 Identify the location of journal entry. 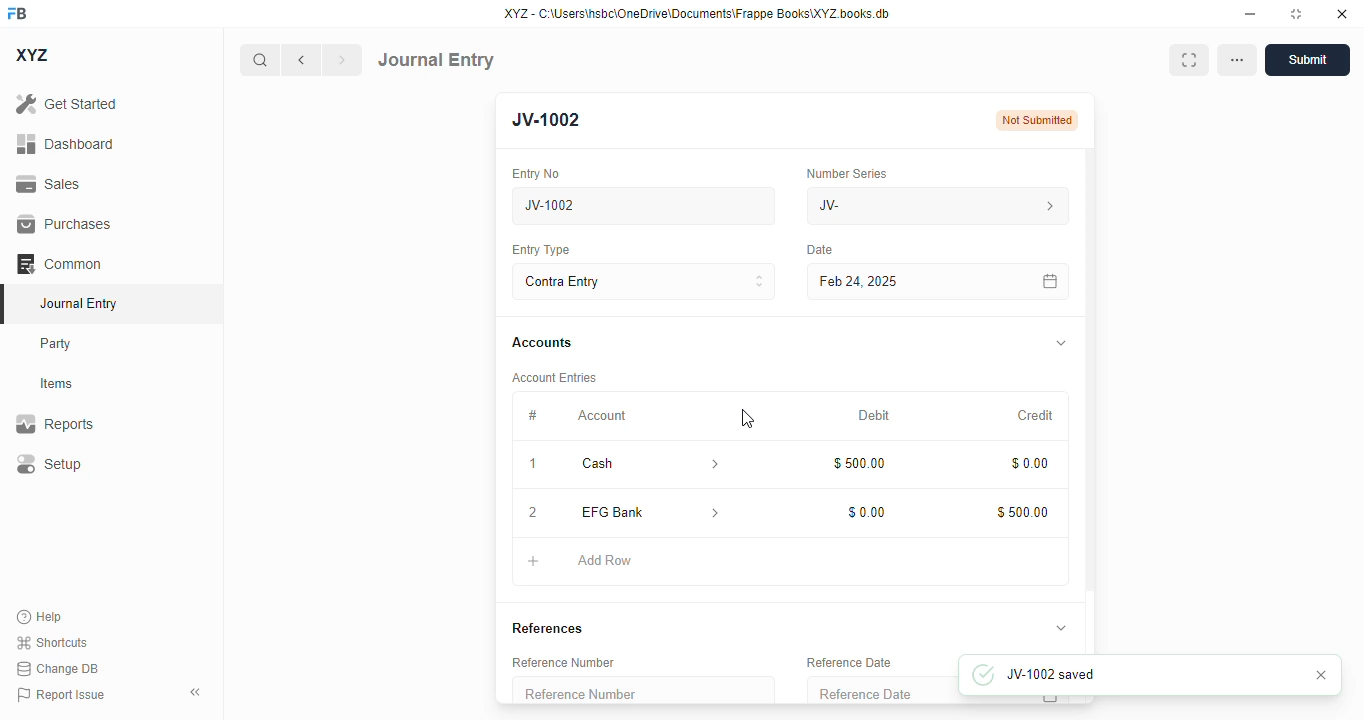
(80, 303).